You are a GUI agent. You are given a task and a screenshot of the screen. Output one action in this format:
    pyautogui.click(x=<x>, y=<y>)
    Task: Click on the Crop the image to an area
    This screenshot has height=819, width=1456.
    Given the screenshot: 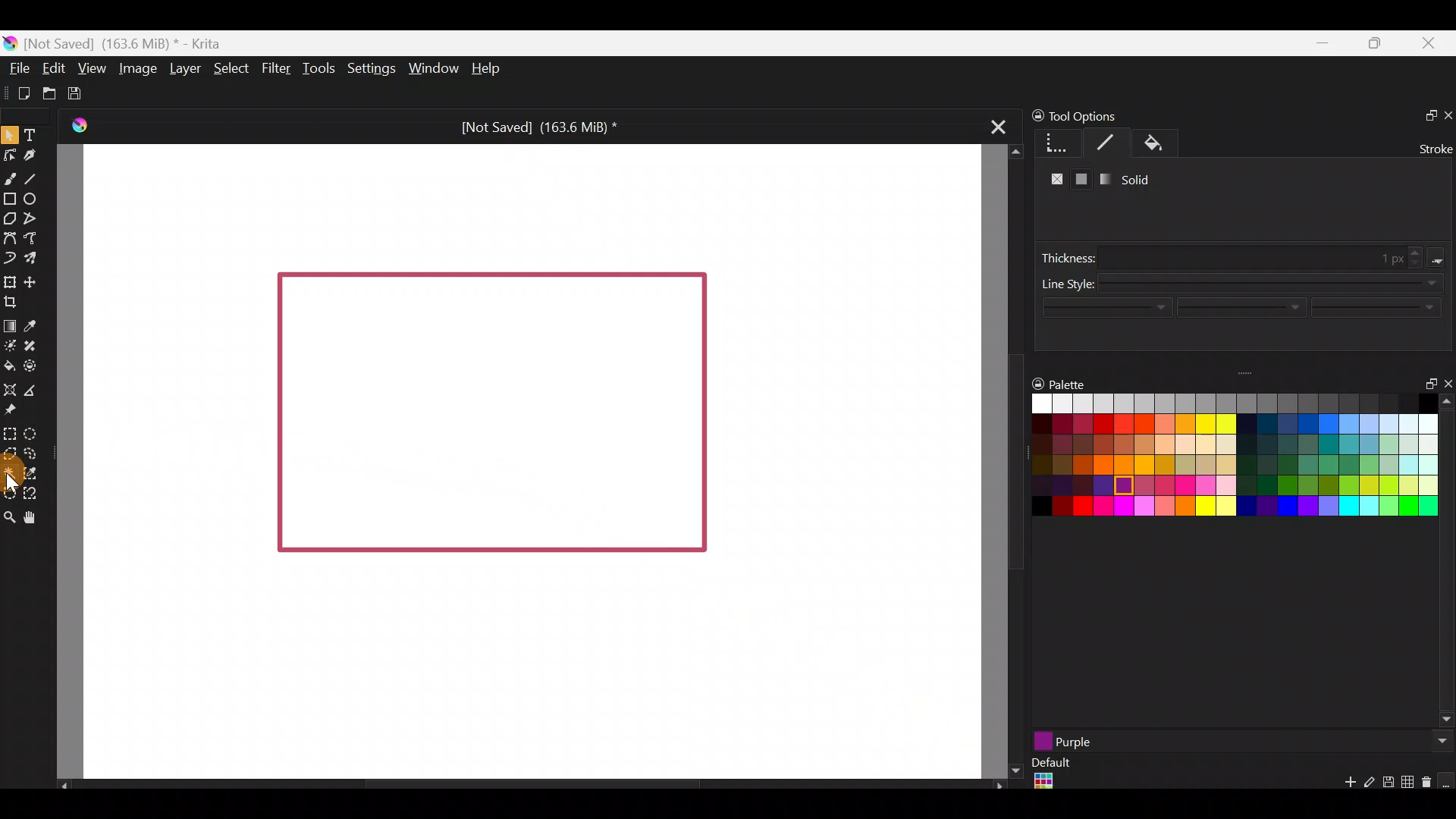 What is the action you would take?
    pyautogui.click(x=17, y=303)
    